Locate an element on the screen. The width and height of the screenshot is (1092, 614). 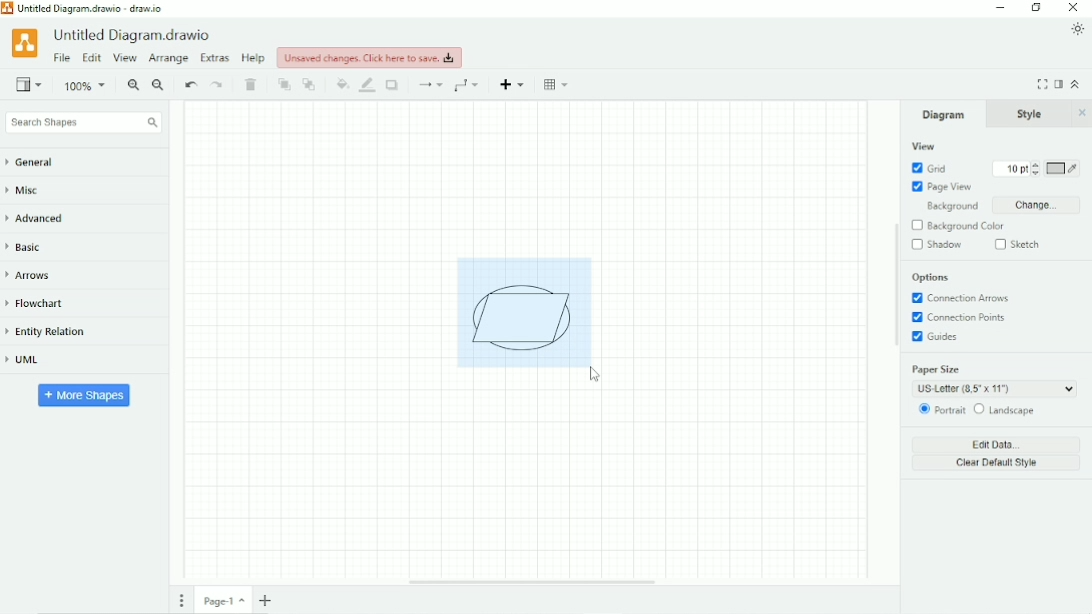
Misc is located at coordinates (29, 192).